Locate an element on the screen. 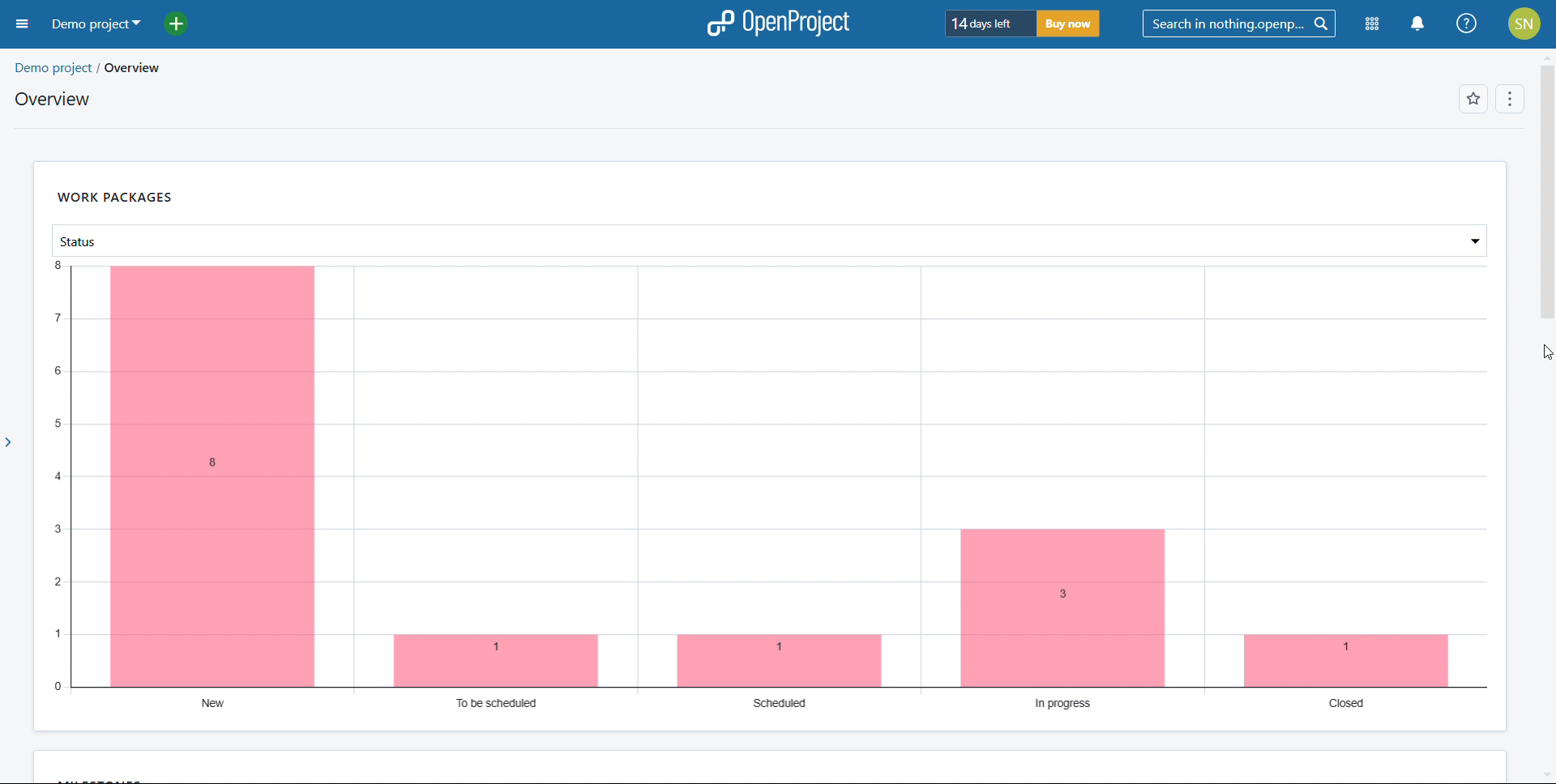  cursor is located at coordinates (1532, 360).